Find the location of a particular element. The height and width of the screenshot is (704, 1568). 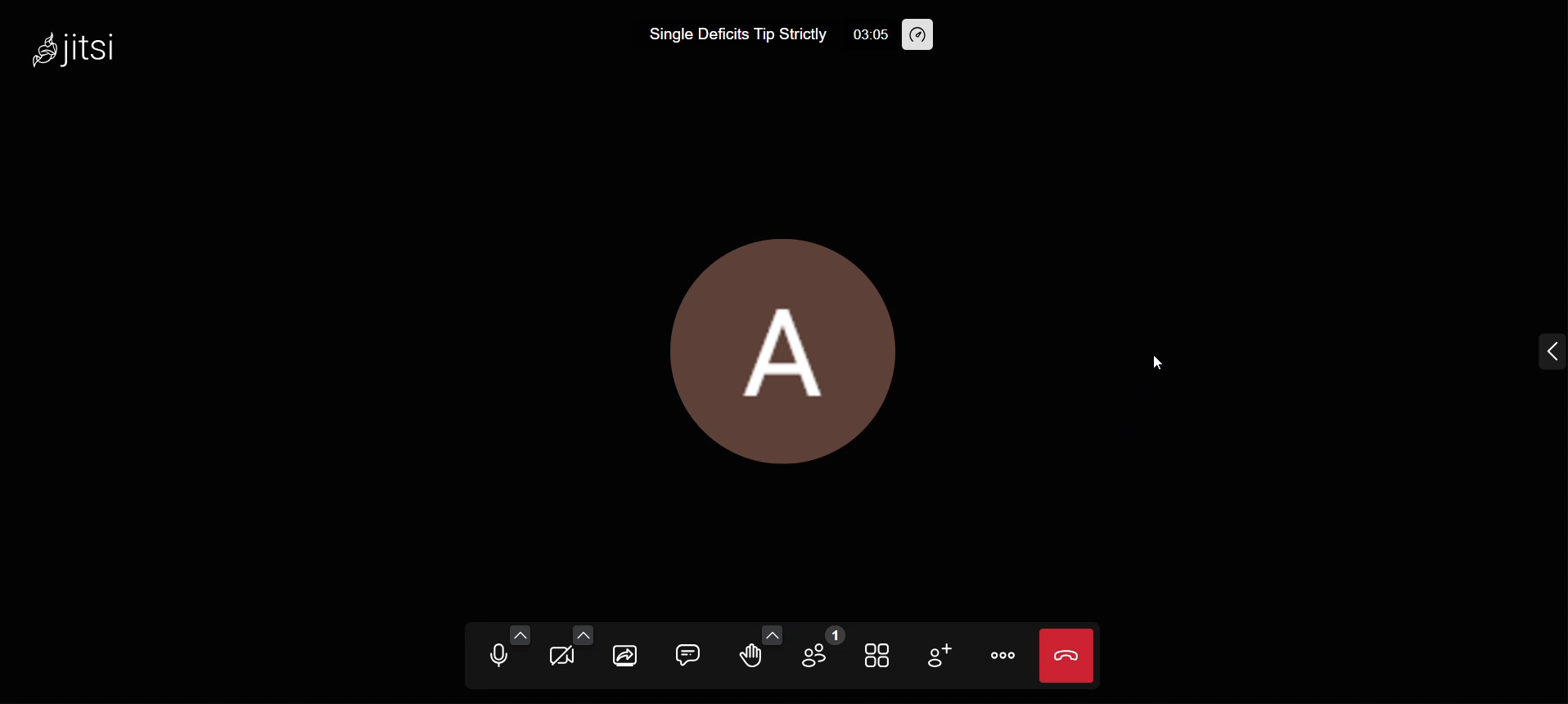

open chat is located at coordinates (689, 651).